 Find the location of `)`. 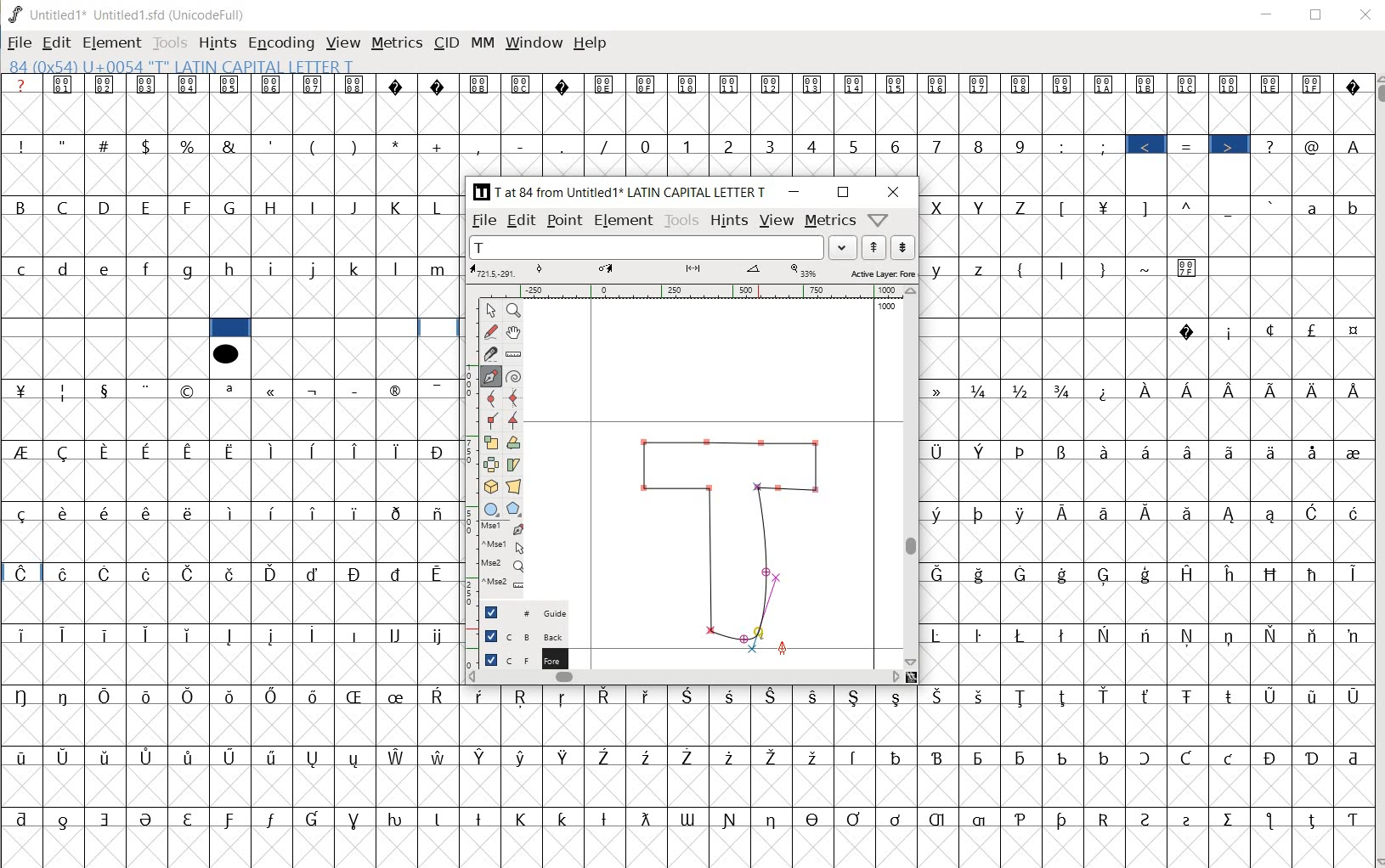

) is located at coordinates (1103, 269).